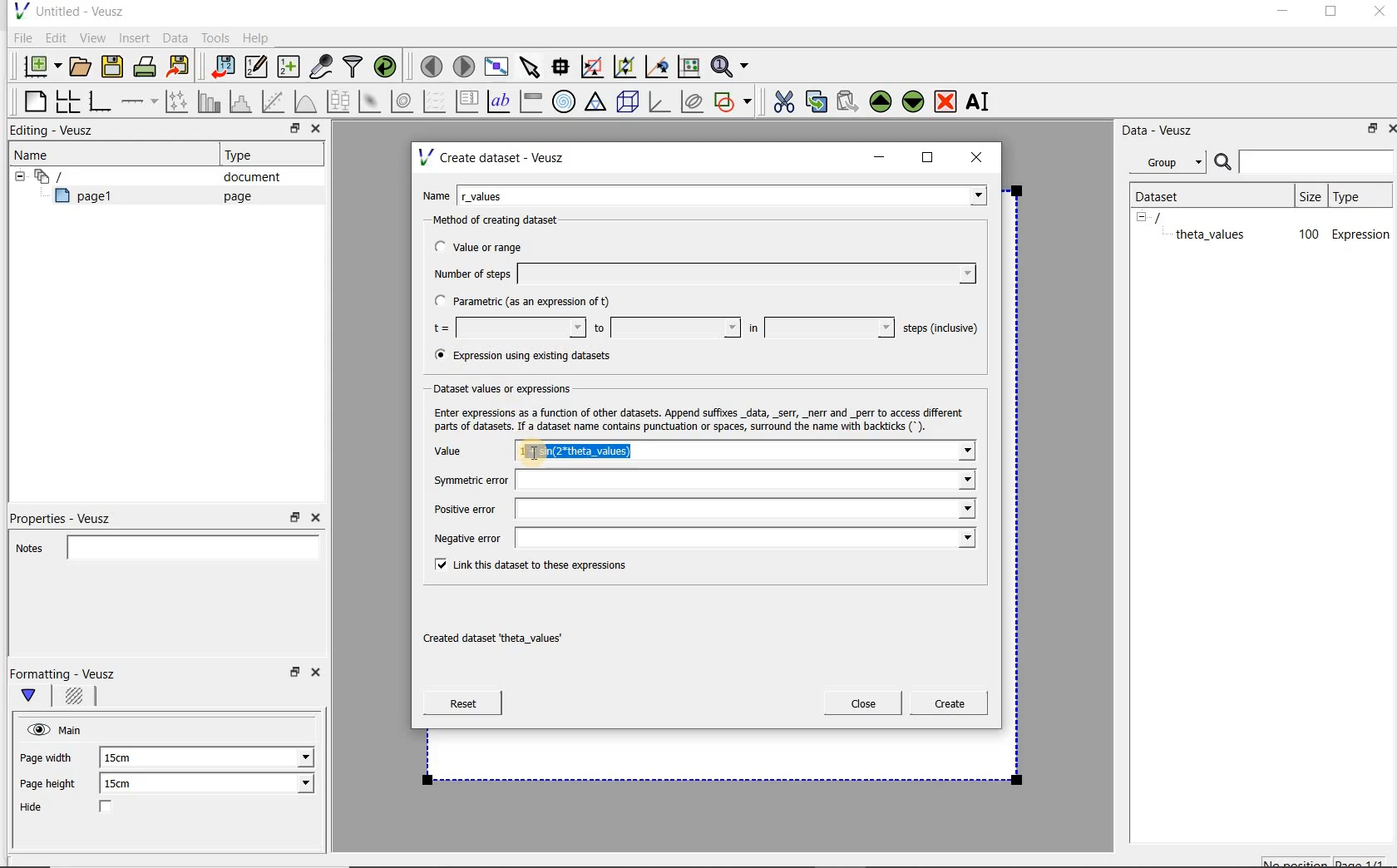 The height and width of the screenshot is (868, 1397). Describe the element at coordinates (243, 101) in the screenshot. I see `histogram of a dataset` at that location.